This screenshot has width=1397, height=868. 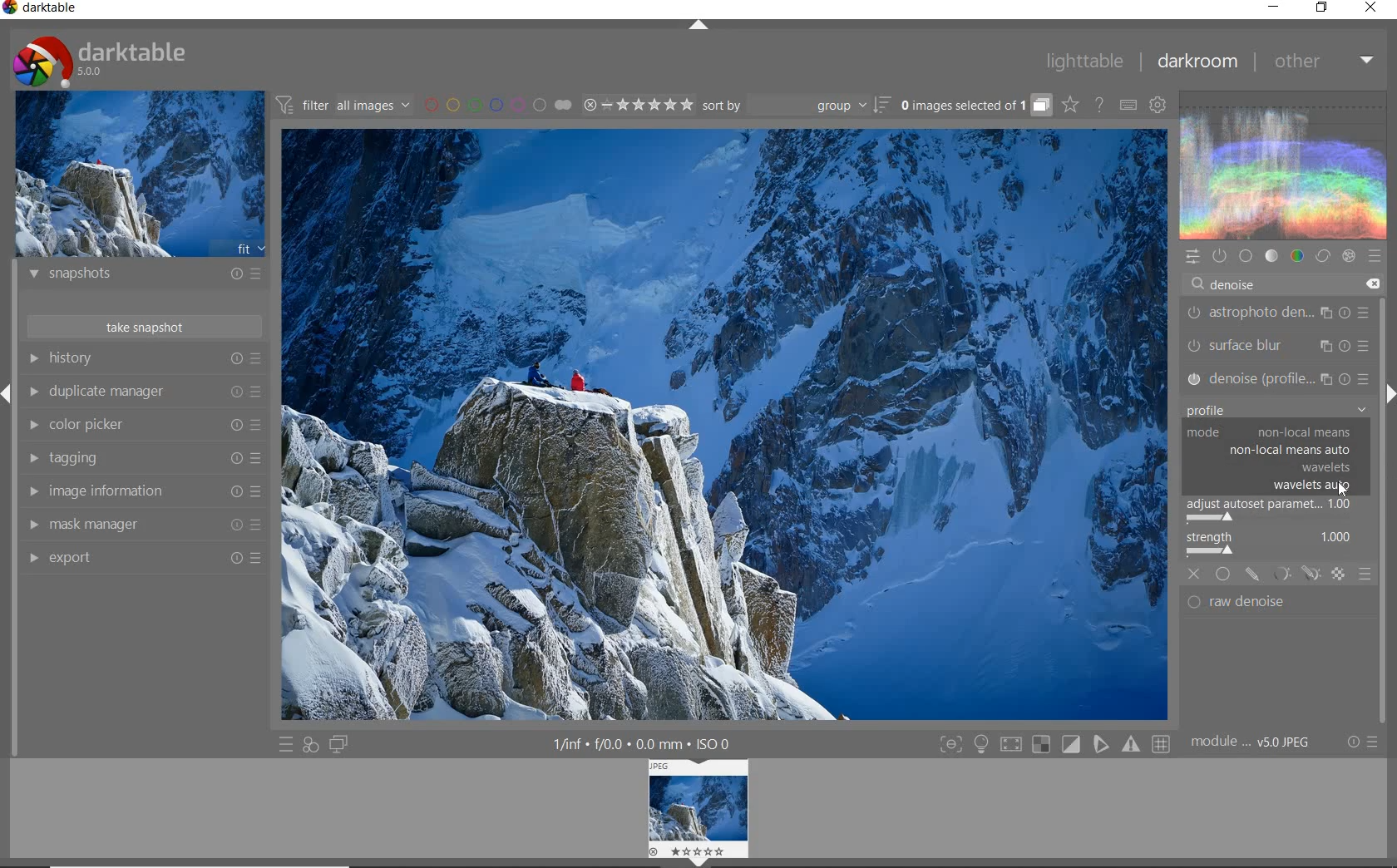 What do you see at coordinates (1229, 285) in the screenshot?
I see `DENOISE` at bounding box center [1229, 285].